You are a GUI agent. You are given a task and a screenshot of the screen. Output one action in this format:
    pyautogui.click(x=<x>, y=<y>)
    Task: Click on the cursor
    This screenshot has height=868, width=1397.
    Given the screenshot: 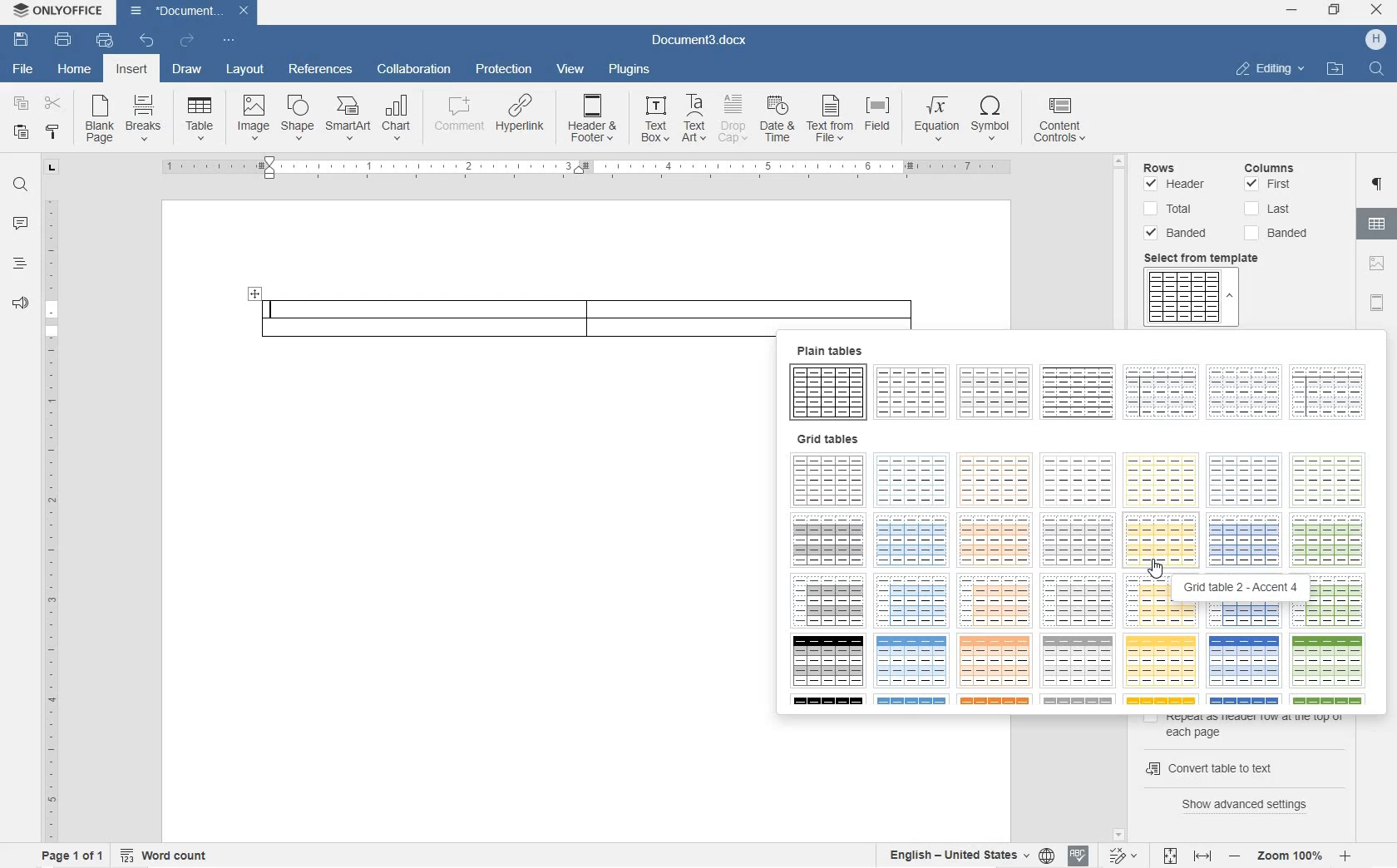 What is the action you would take?
    pyautogui.click(x=1156, y=569)
    